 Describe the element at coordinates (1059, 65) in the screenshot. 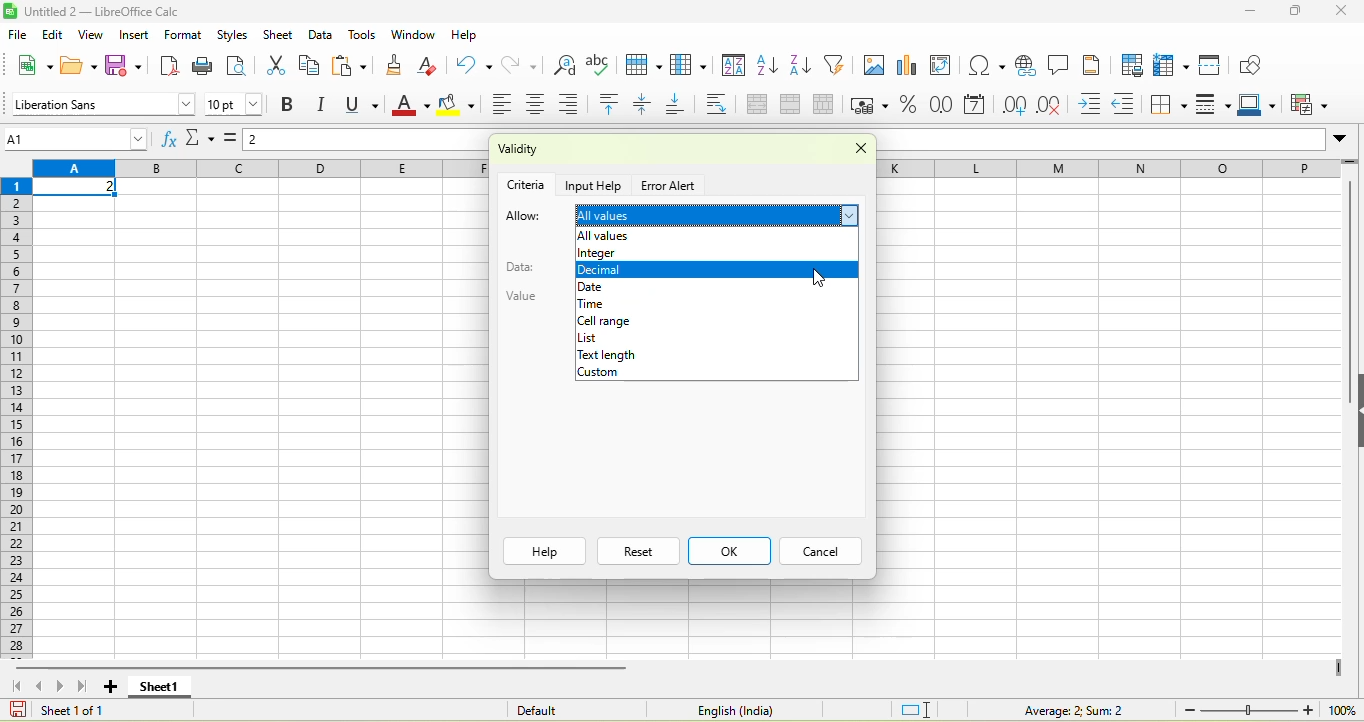

I see `comment` at that location.